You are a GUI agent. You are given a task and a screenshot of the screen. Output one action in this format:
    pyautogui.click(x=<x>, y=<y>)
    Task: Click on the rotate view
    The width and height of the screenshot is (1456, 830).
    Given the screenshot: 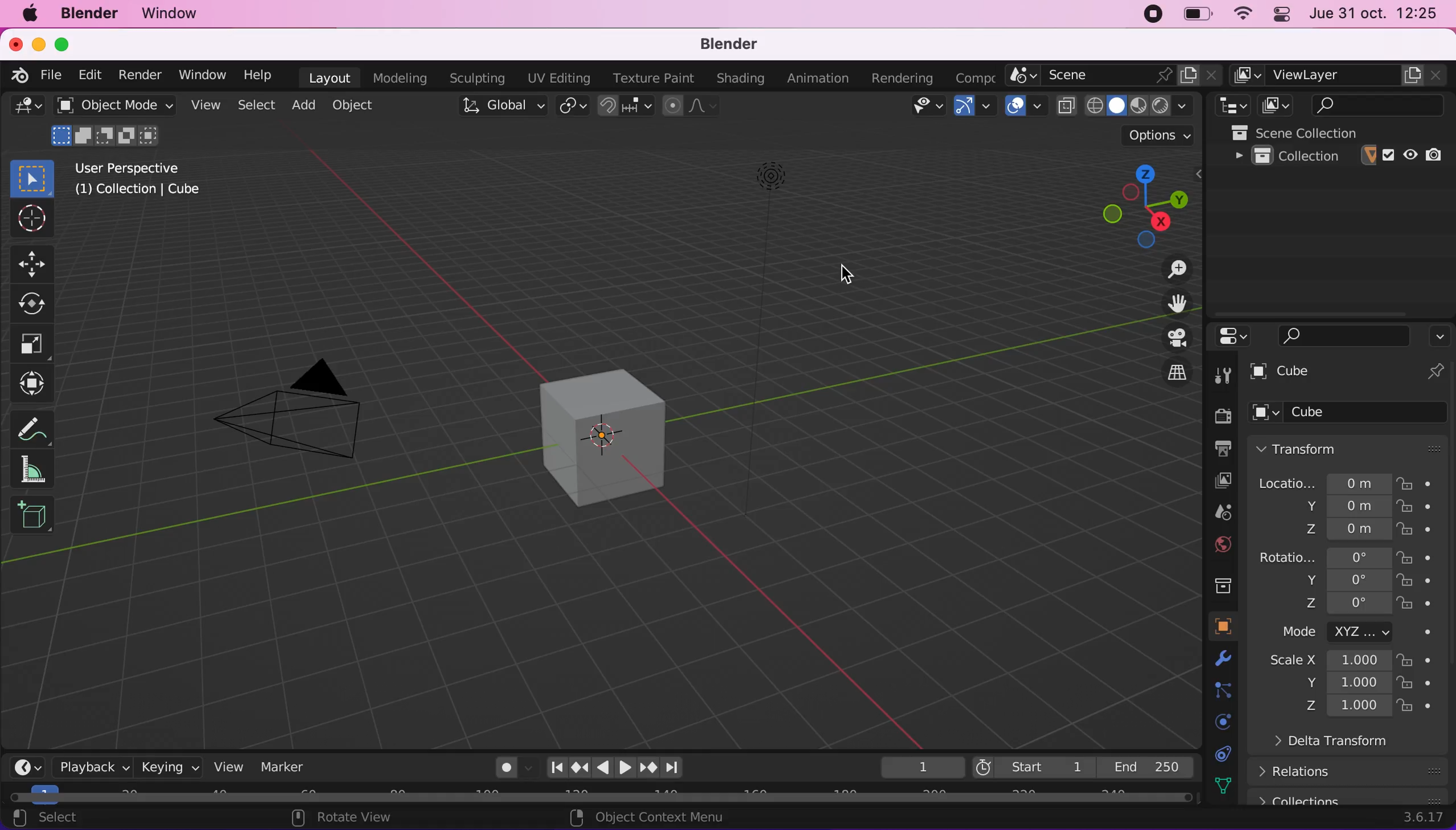 What is the action you would take?
    pyautogui.click(x=360, y=817)
    